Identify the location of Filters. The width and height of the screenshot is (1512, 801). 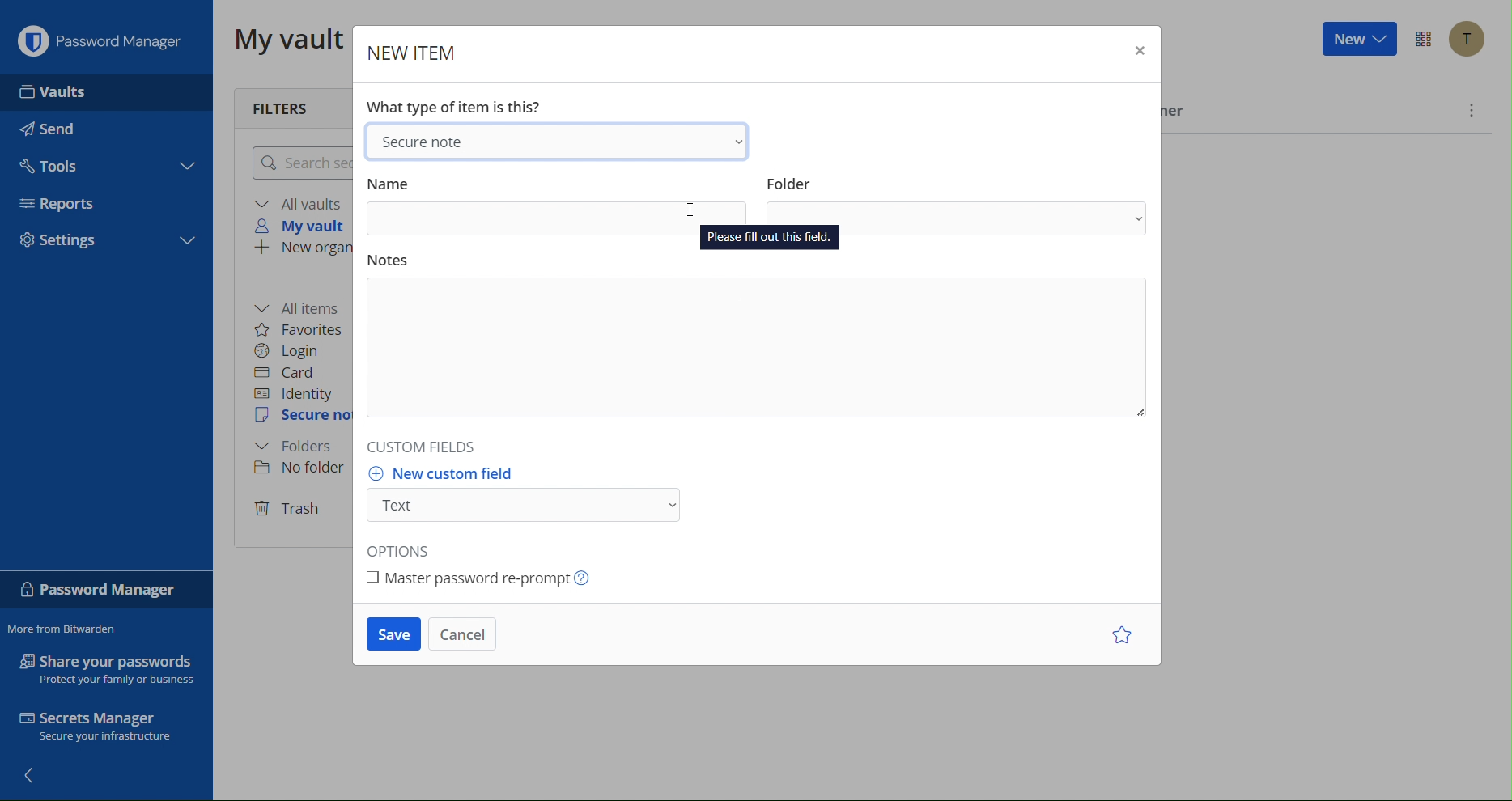
(291, 104).